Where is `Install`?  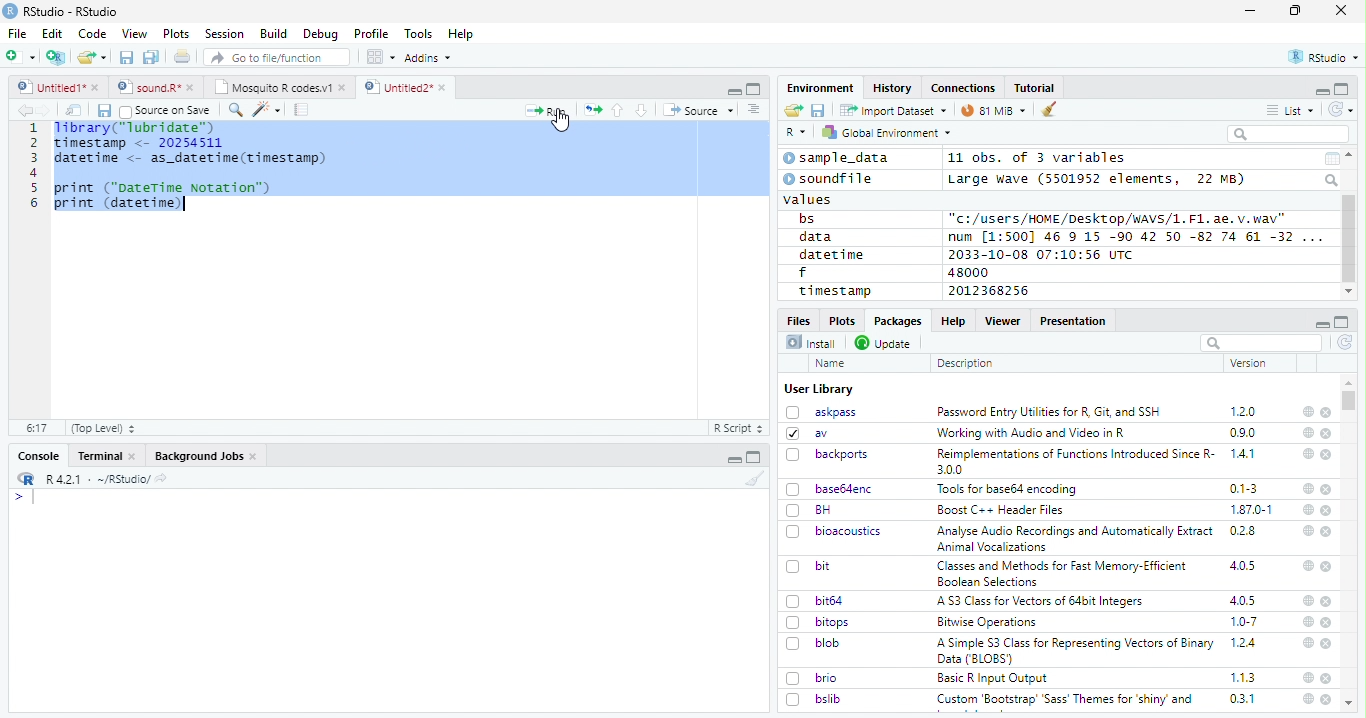 Install is located at coordinates (811, 342).